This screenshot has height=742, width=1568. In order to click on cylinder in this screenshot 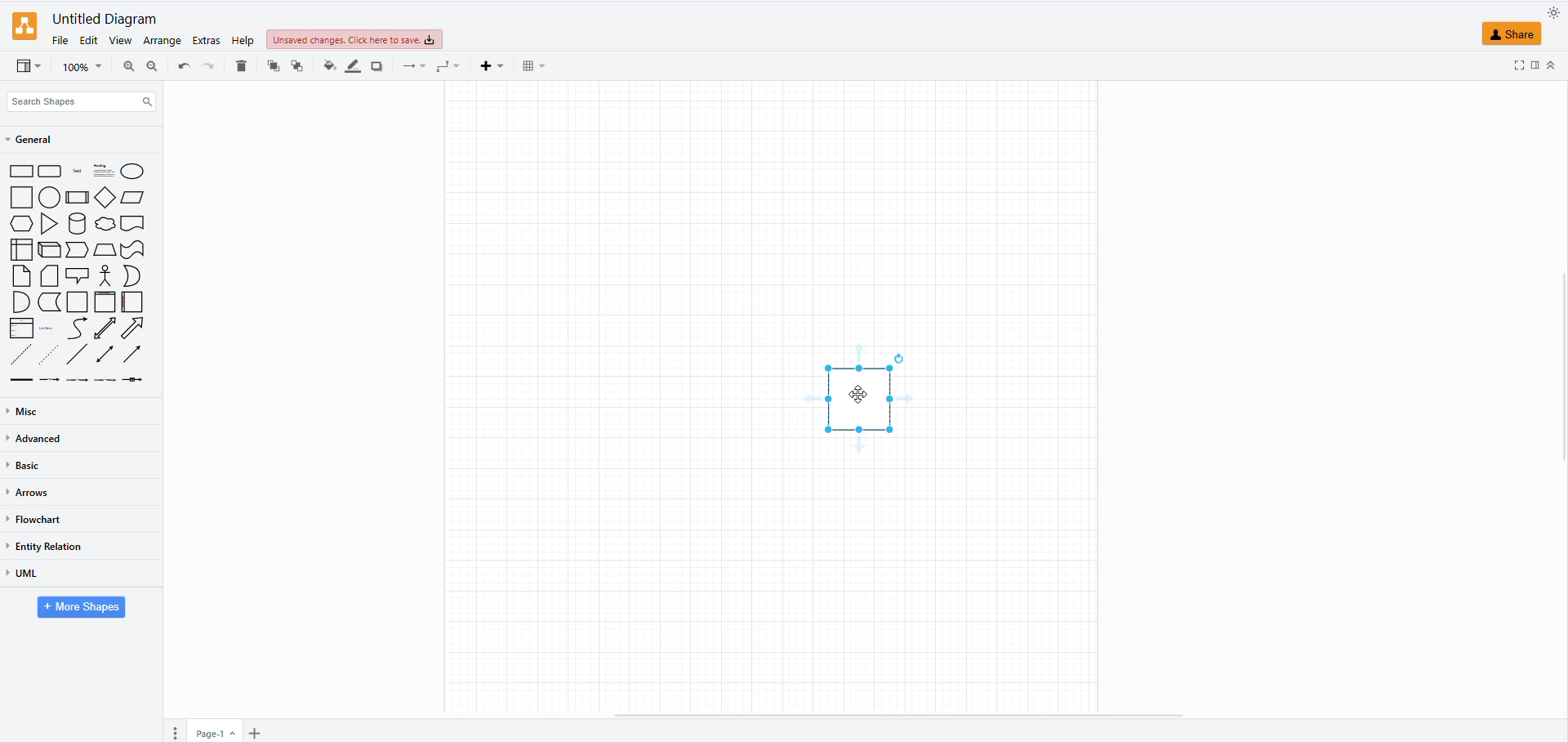, I will do `click(78, 226)`.